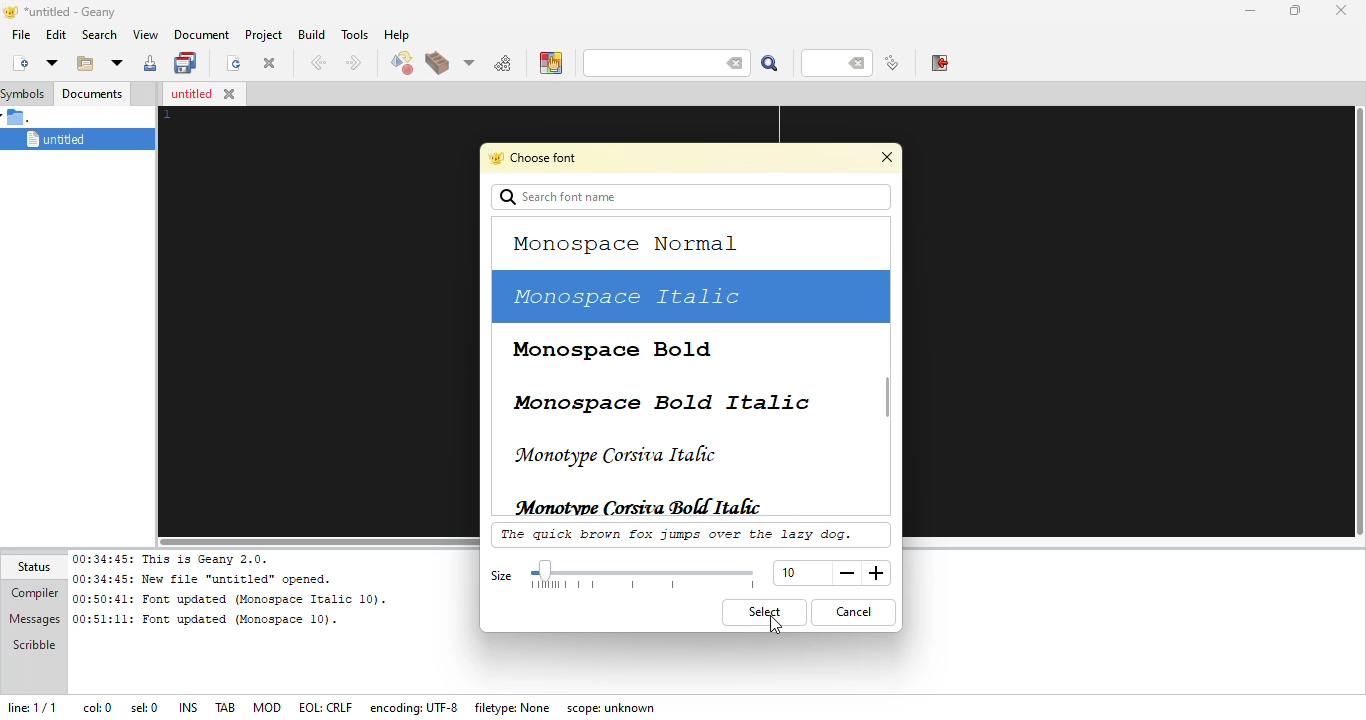 This screenshot has height=720, width=1366. What do you see at coordinates (187, 61) in the screenshot?
I see `save all` at bounding box center [187, 61].